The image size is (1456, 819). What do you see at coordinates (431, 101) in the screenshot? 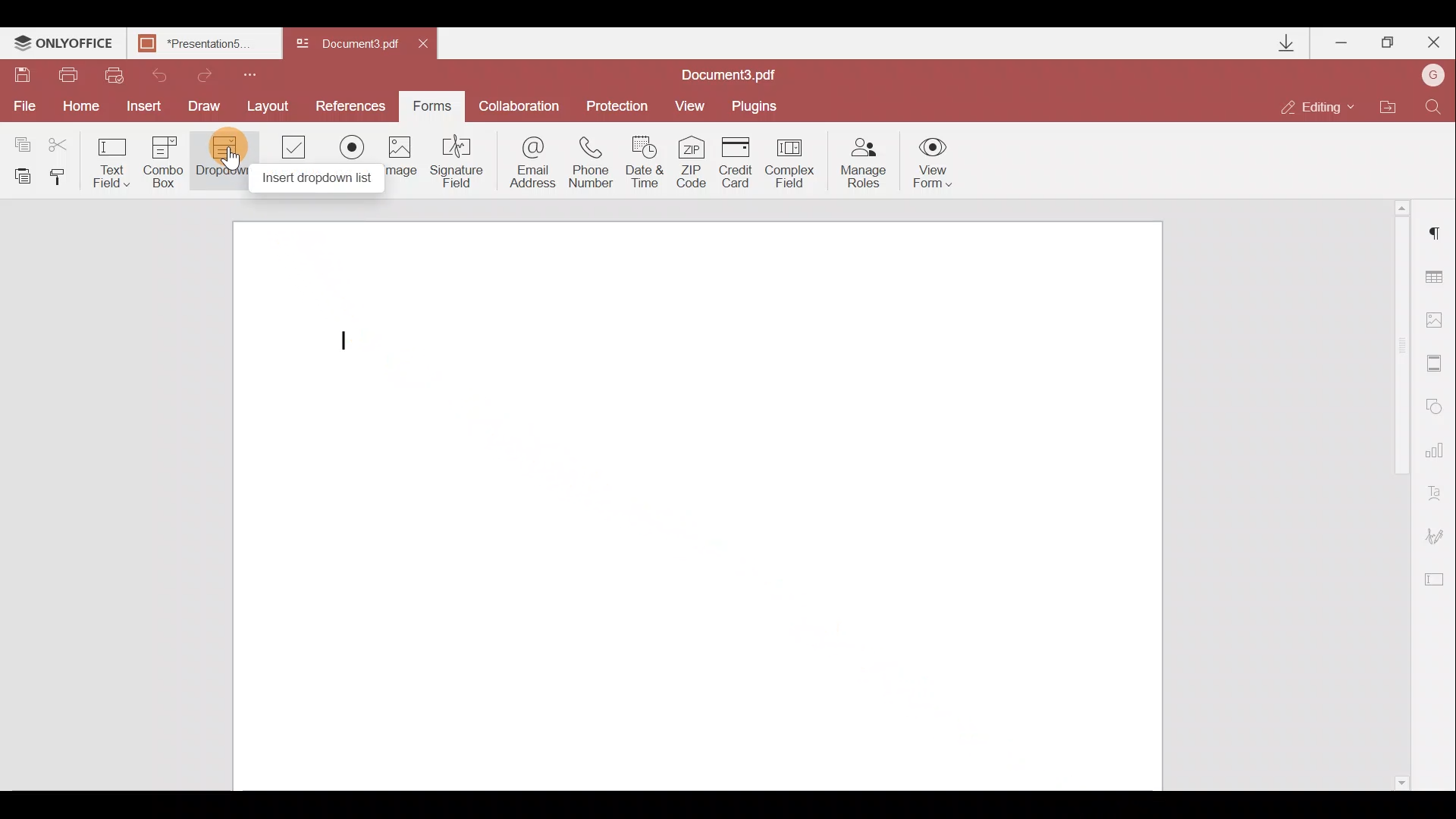
I see `Forms` at bounding box center [431, 101].